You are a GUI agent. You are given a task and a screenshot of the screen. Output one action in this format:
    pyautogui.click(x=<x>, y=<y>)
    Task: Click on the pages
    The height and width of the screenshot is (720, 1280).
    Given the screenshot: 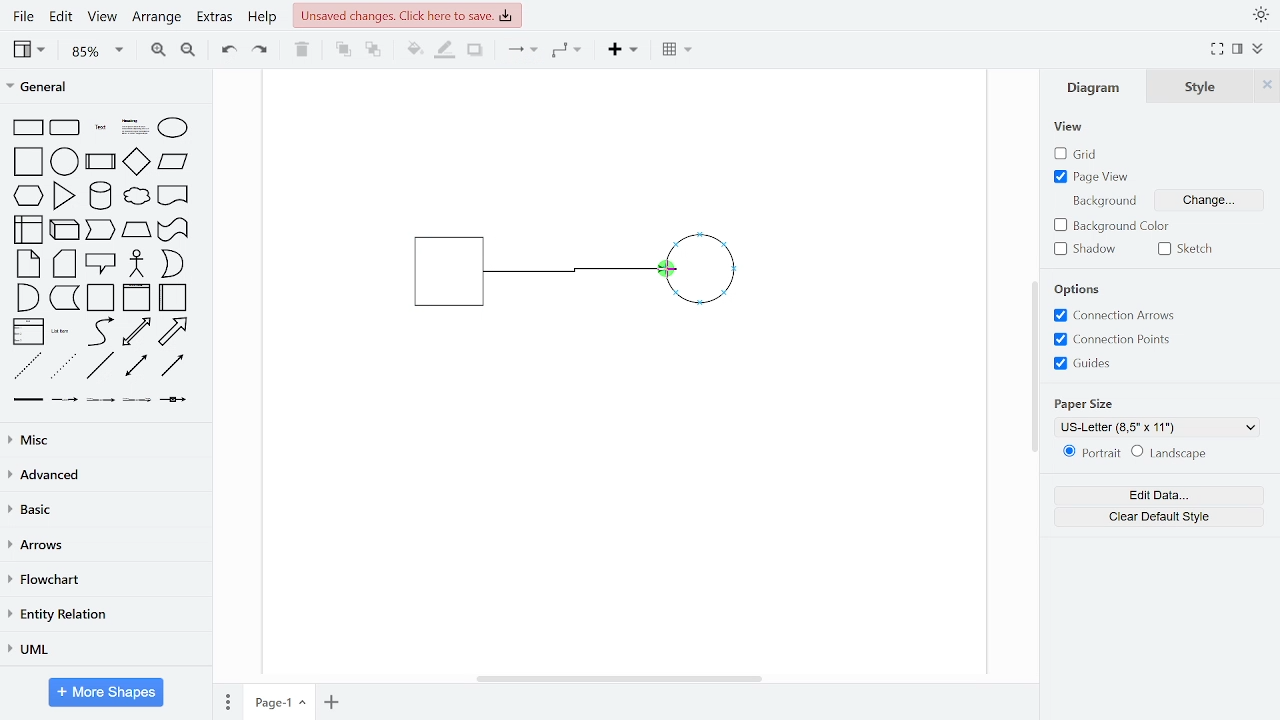 What is the action you would take?
    pyautogui.click(x=226, y=699)
    